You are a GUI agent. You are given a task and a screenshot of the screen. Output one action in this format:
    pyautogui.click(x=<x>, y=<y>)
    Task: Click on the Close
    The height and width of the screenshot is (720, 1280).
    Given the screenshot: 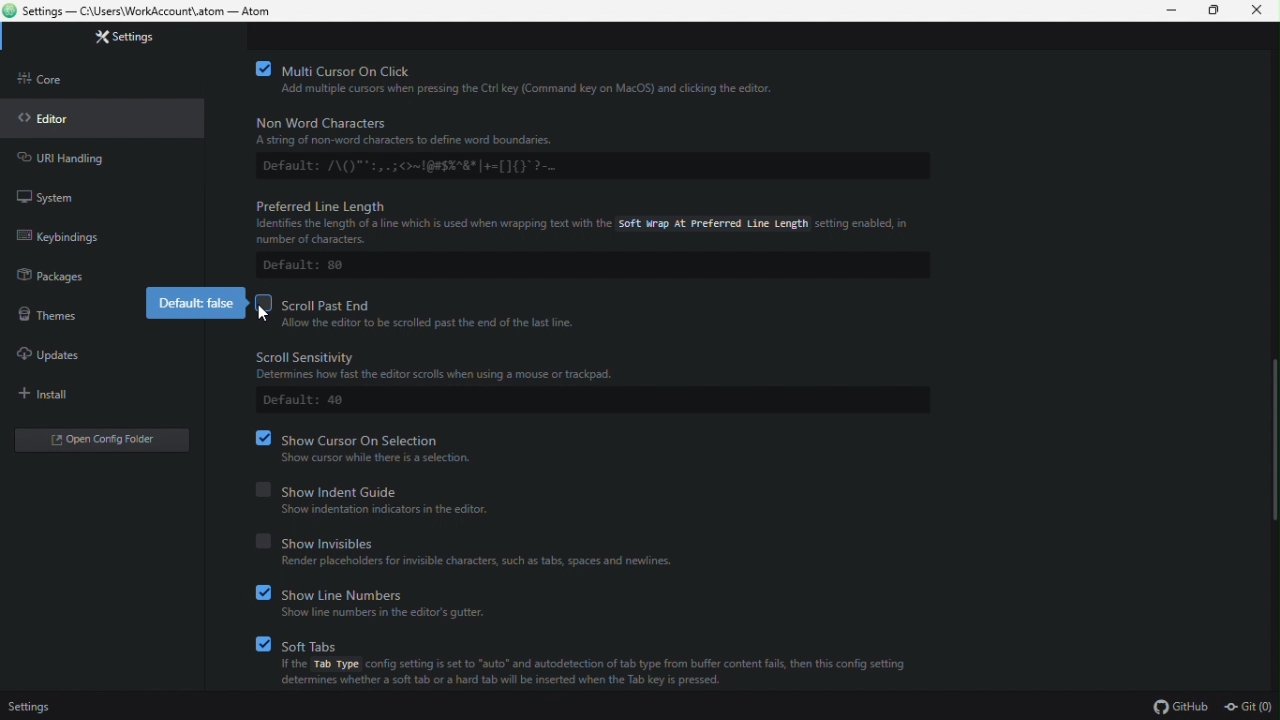 What is the action you would take?
    pyautogui.click(x=1259, y=11)
    